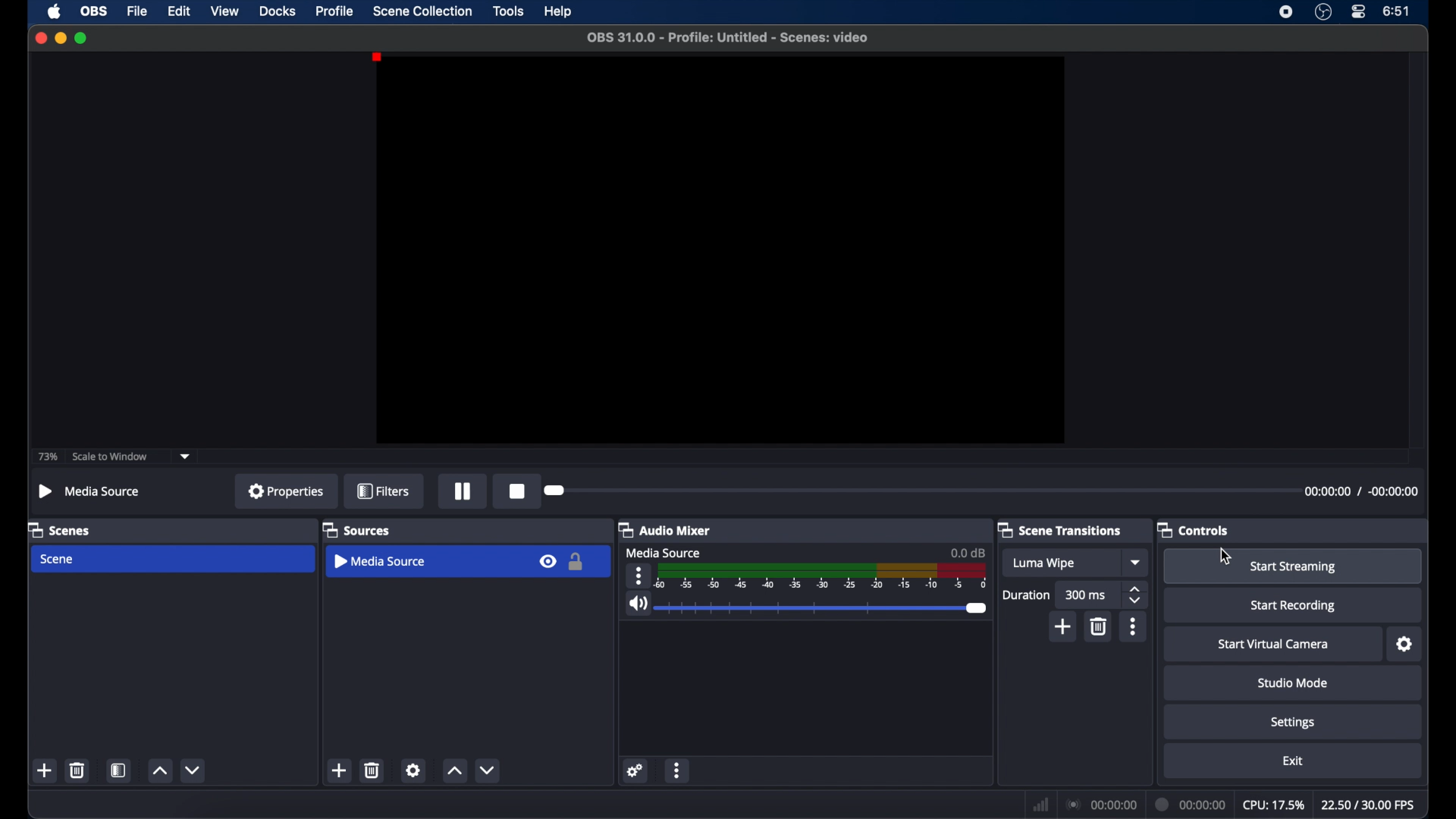 The height and width of the screenshot is (819, 1456). Describe the element at coordinates (1405, 645) in the screenshot. I see `settings` at that location.